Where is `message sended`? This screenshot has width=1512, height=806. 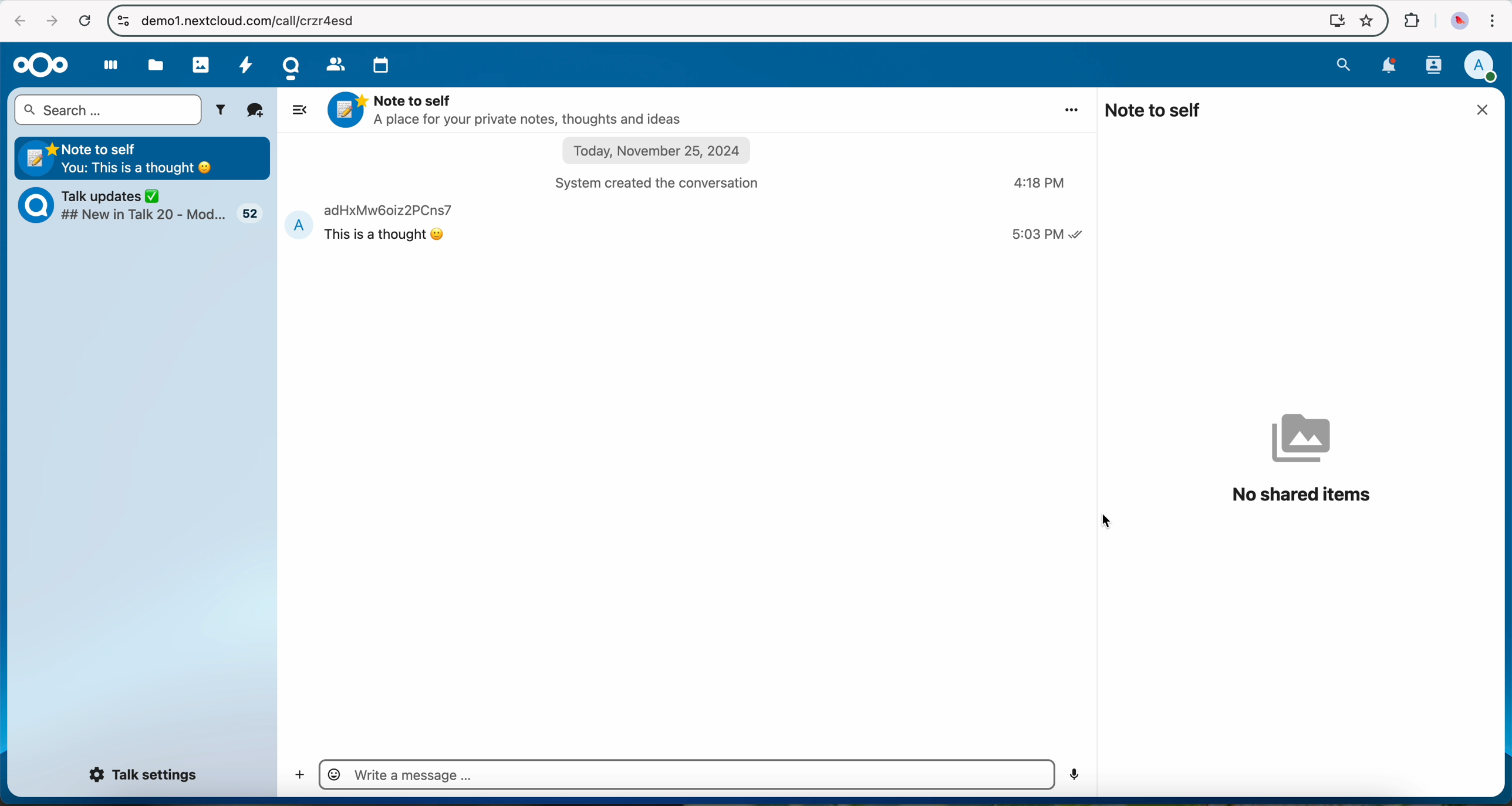 message sended is located at coordinates (687, 223).